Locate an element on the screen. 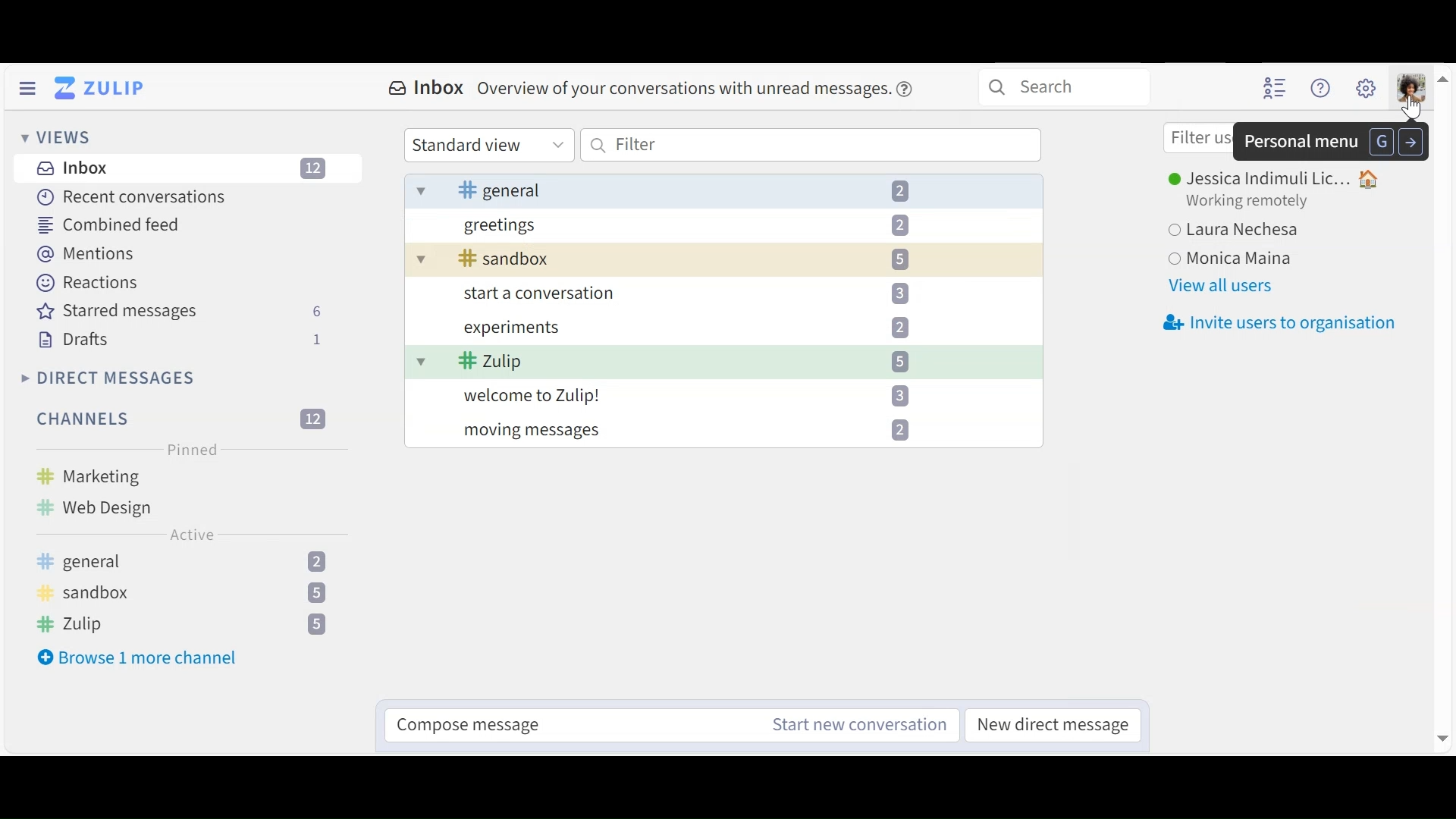 Image resolution: width=1456 pixels, height=819 pixels. Users is located at coordinates (1244, 232).